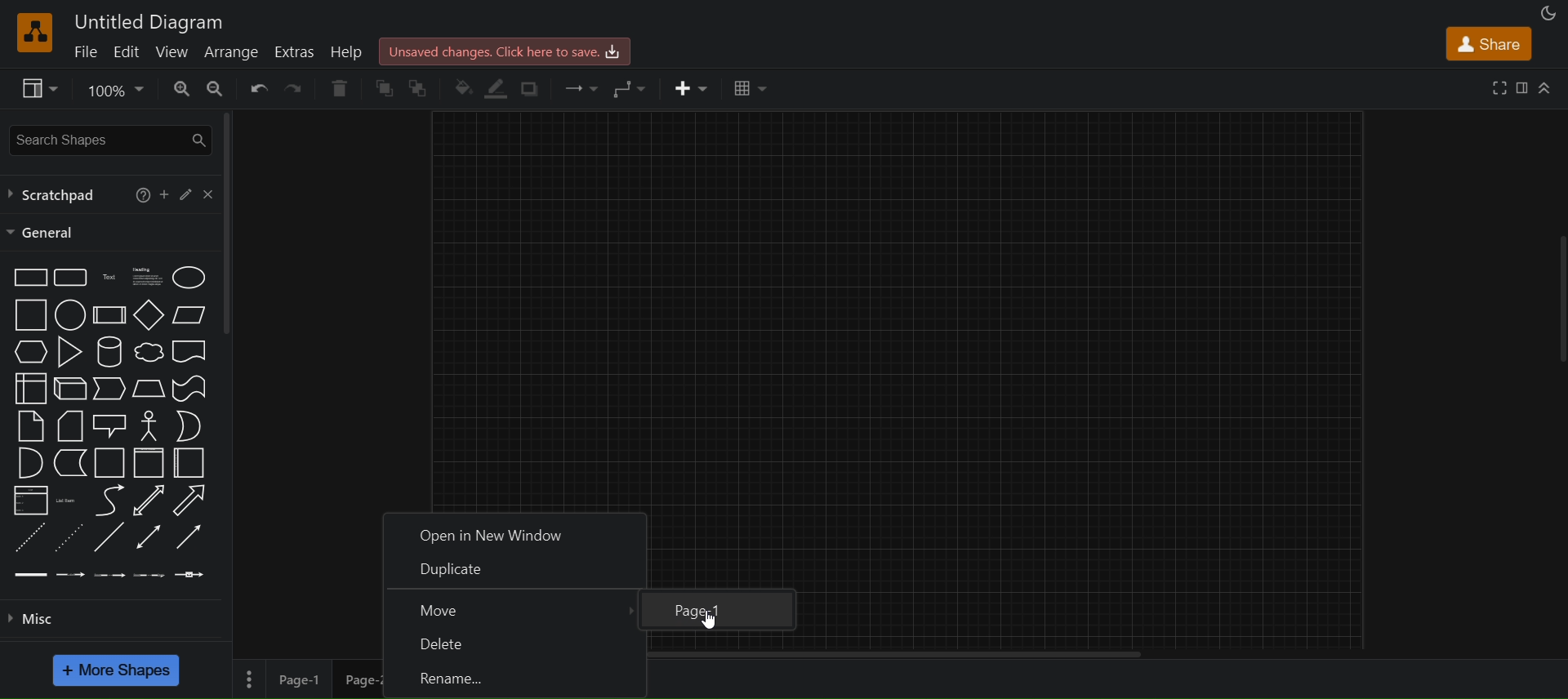  Describe the element at coordinates (85, 52) in the screenshot. I see `file` at that location.